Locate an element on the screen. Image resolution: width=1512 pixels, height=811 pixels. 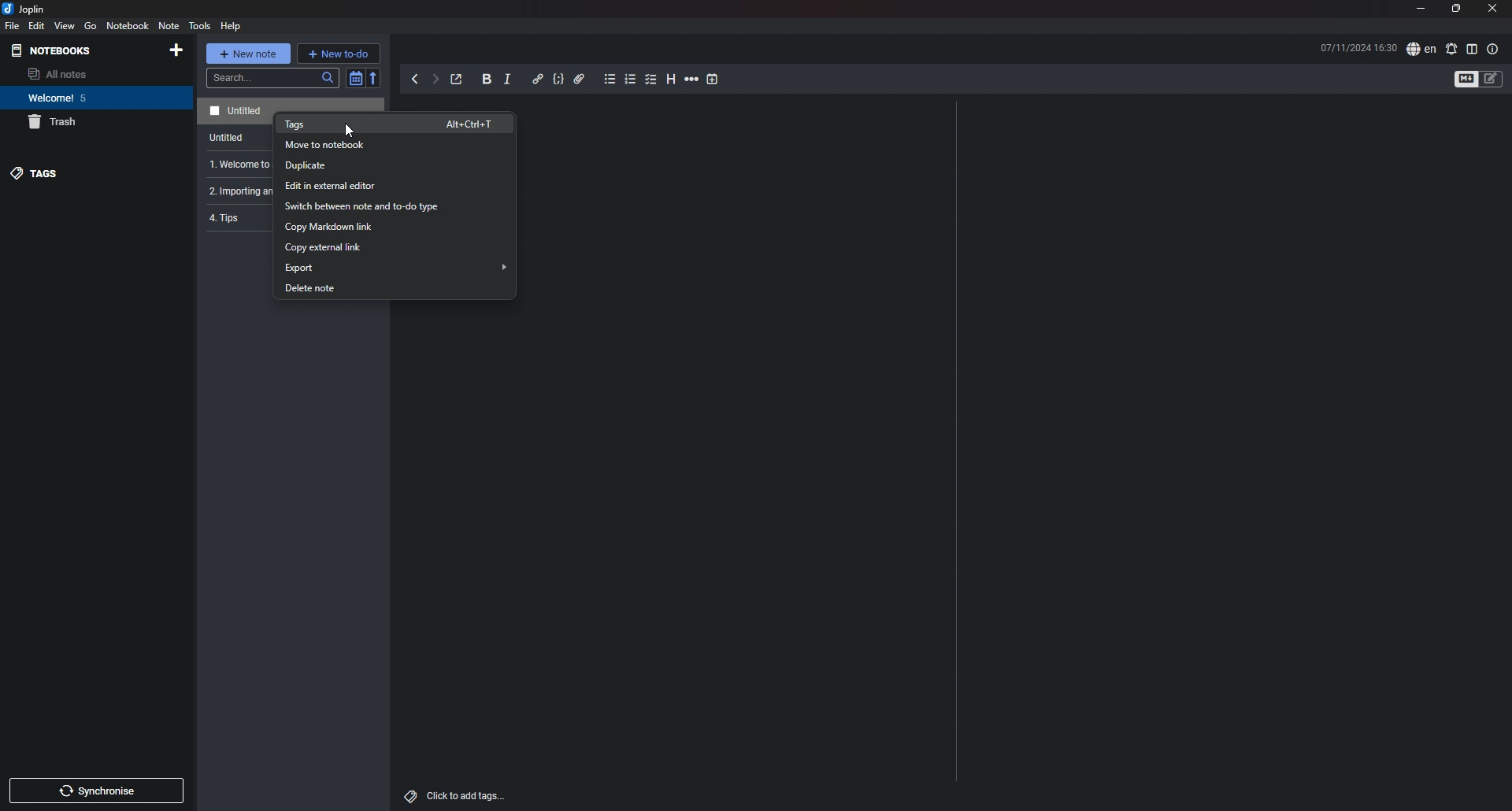
joplin is located at coordinates (27, 9).